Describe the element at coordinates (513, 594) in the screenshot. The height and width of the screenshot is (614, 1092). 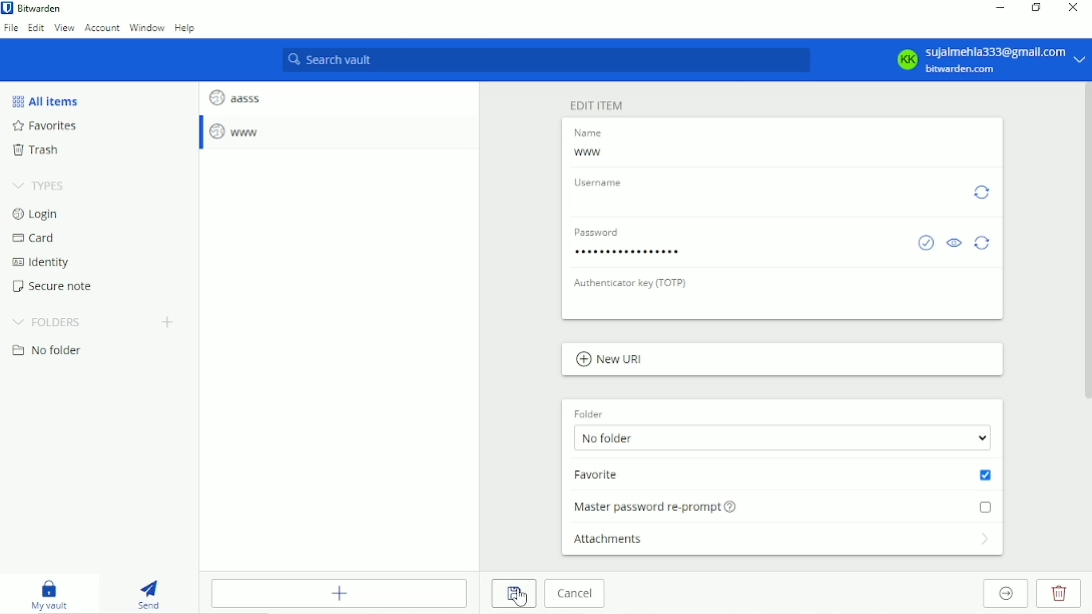
I see `Save` at that location.